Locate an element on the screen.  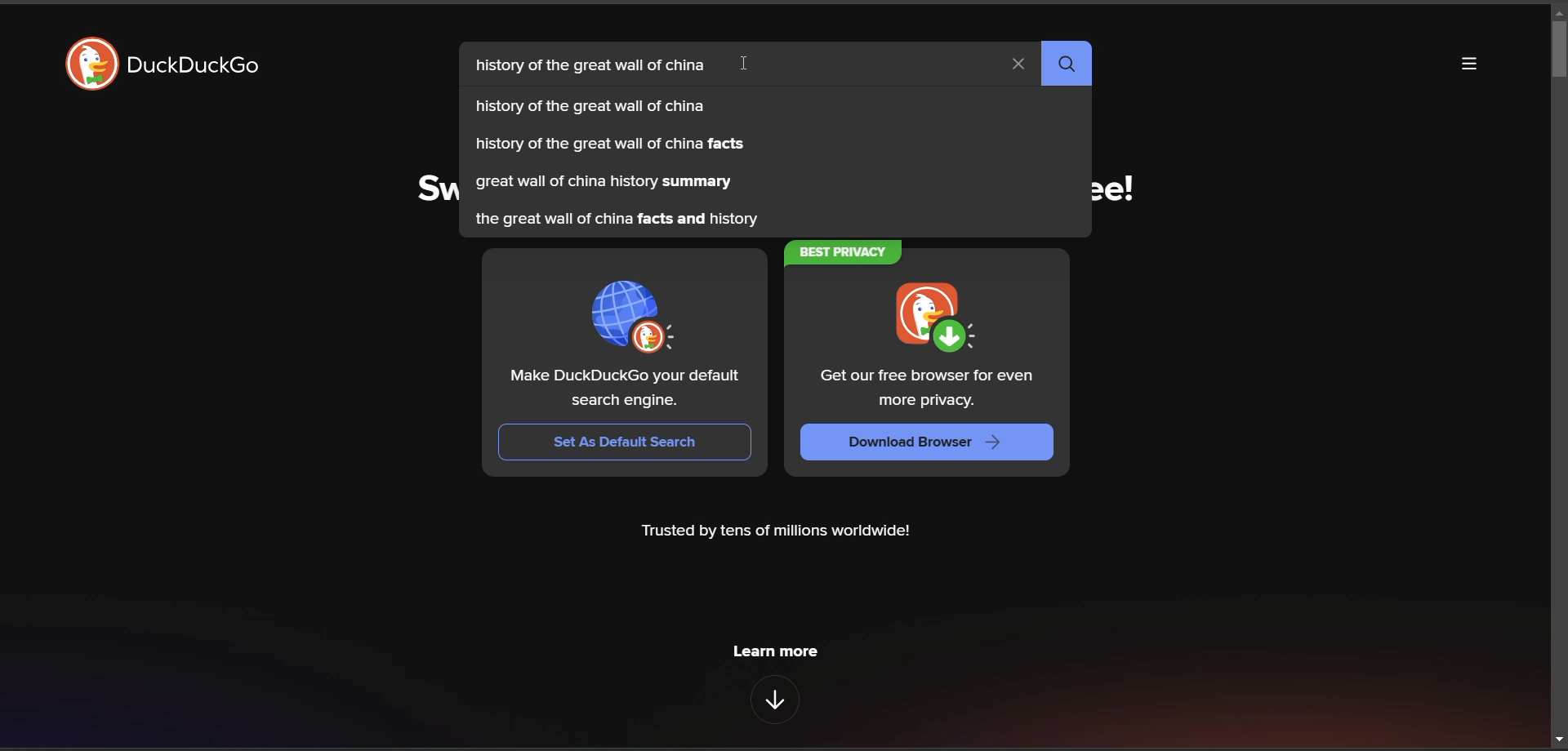
cursor is located at coordinates (746, 67).